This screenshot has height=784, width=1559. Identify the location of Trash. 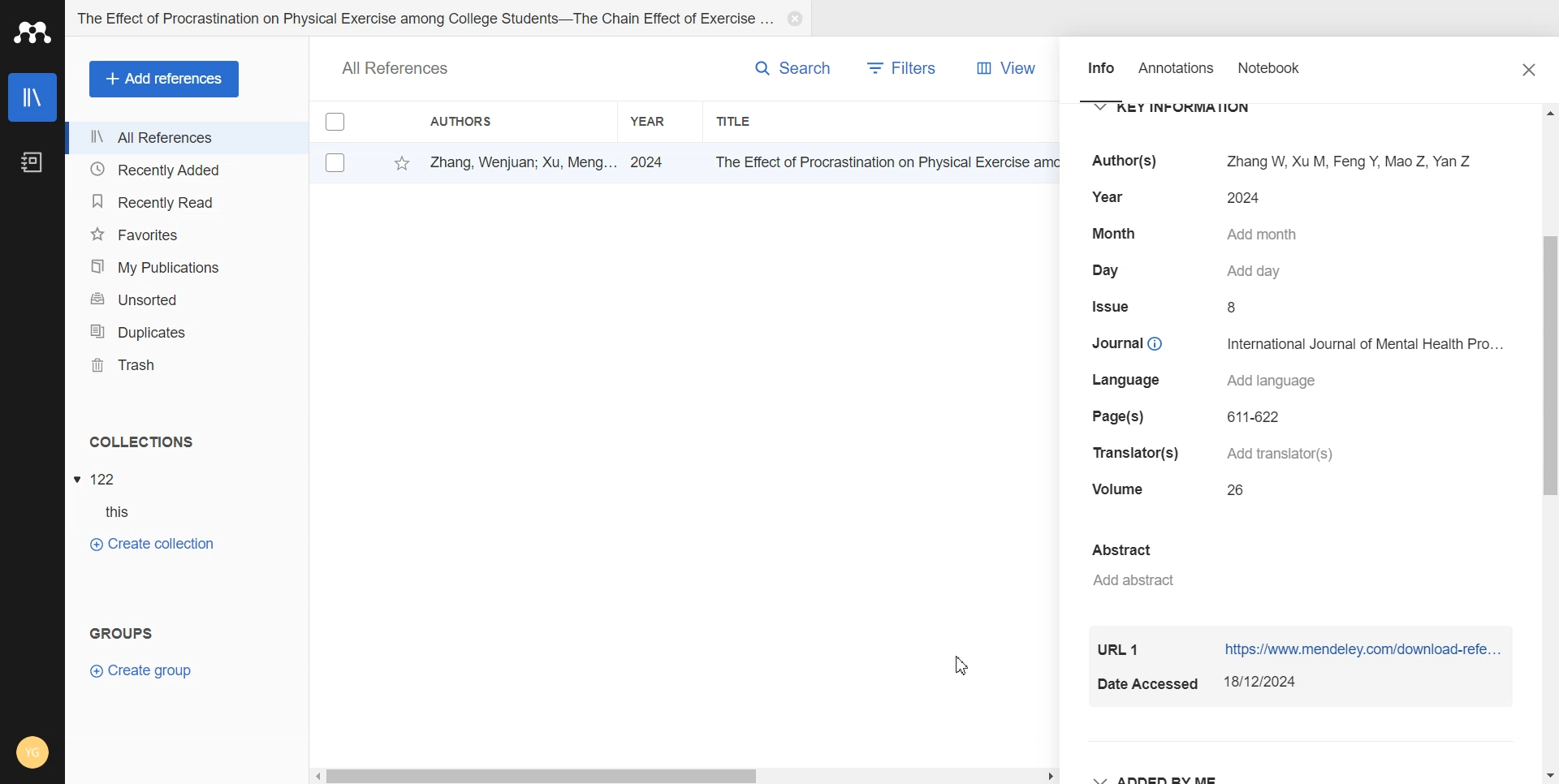
(187, 364).